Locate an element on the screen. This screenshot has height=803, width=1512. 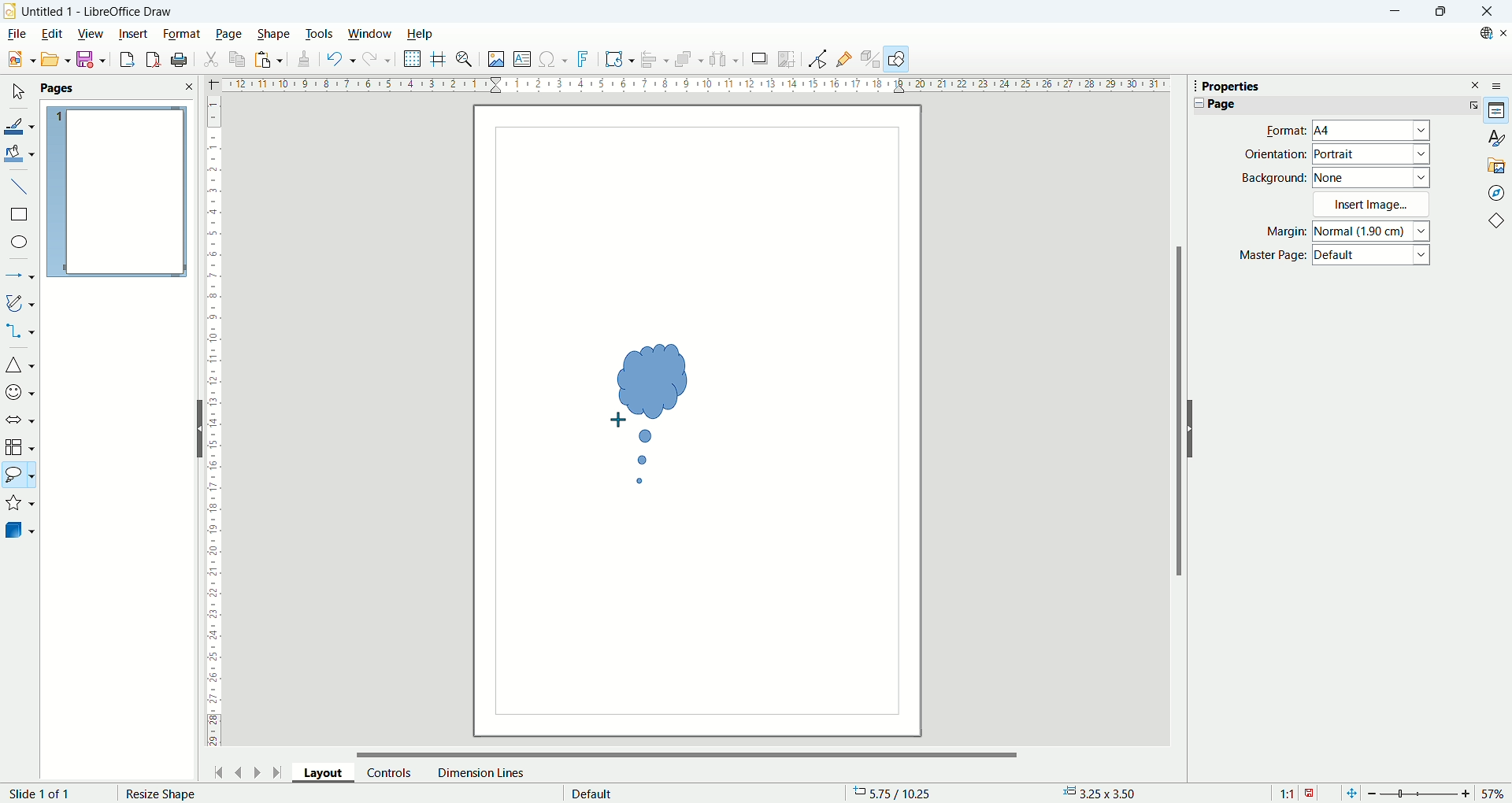
connectors is located at coordinates (20, 332).